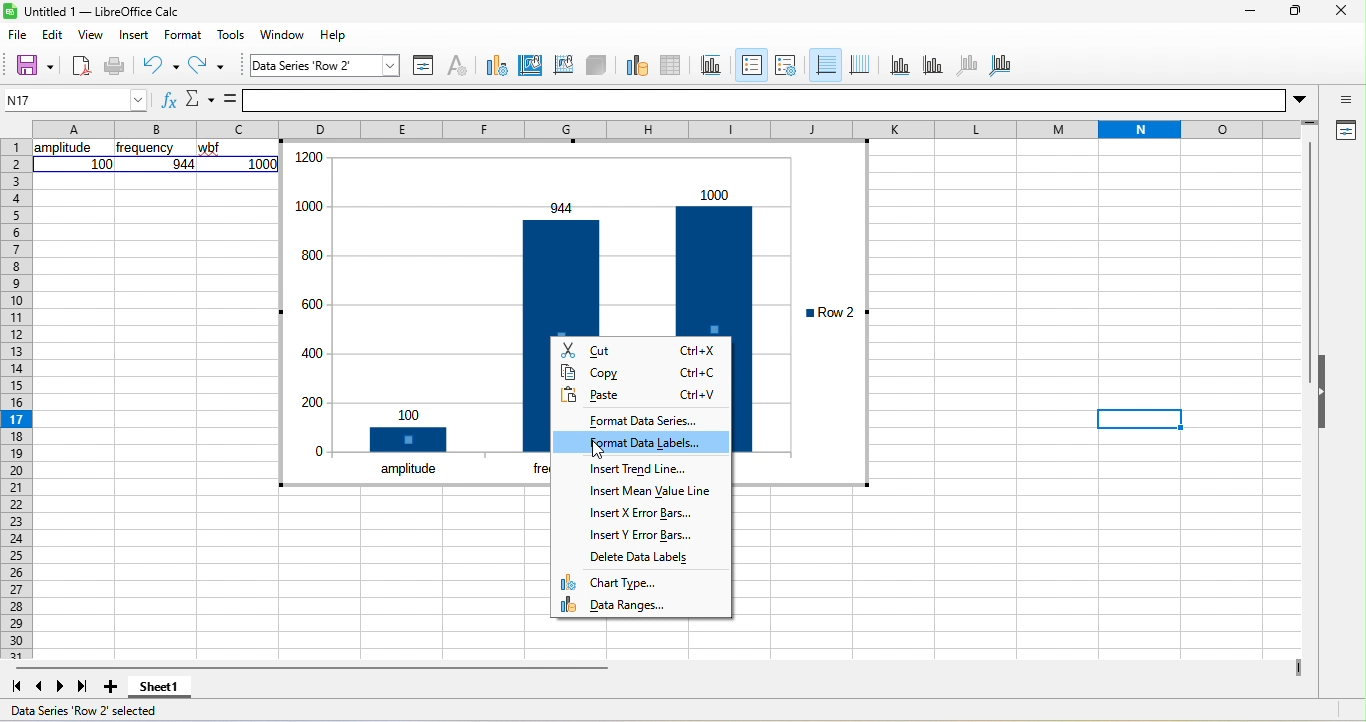  I want to click on cursor movement, so click(609, 447).